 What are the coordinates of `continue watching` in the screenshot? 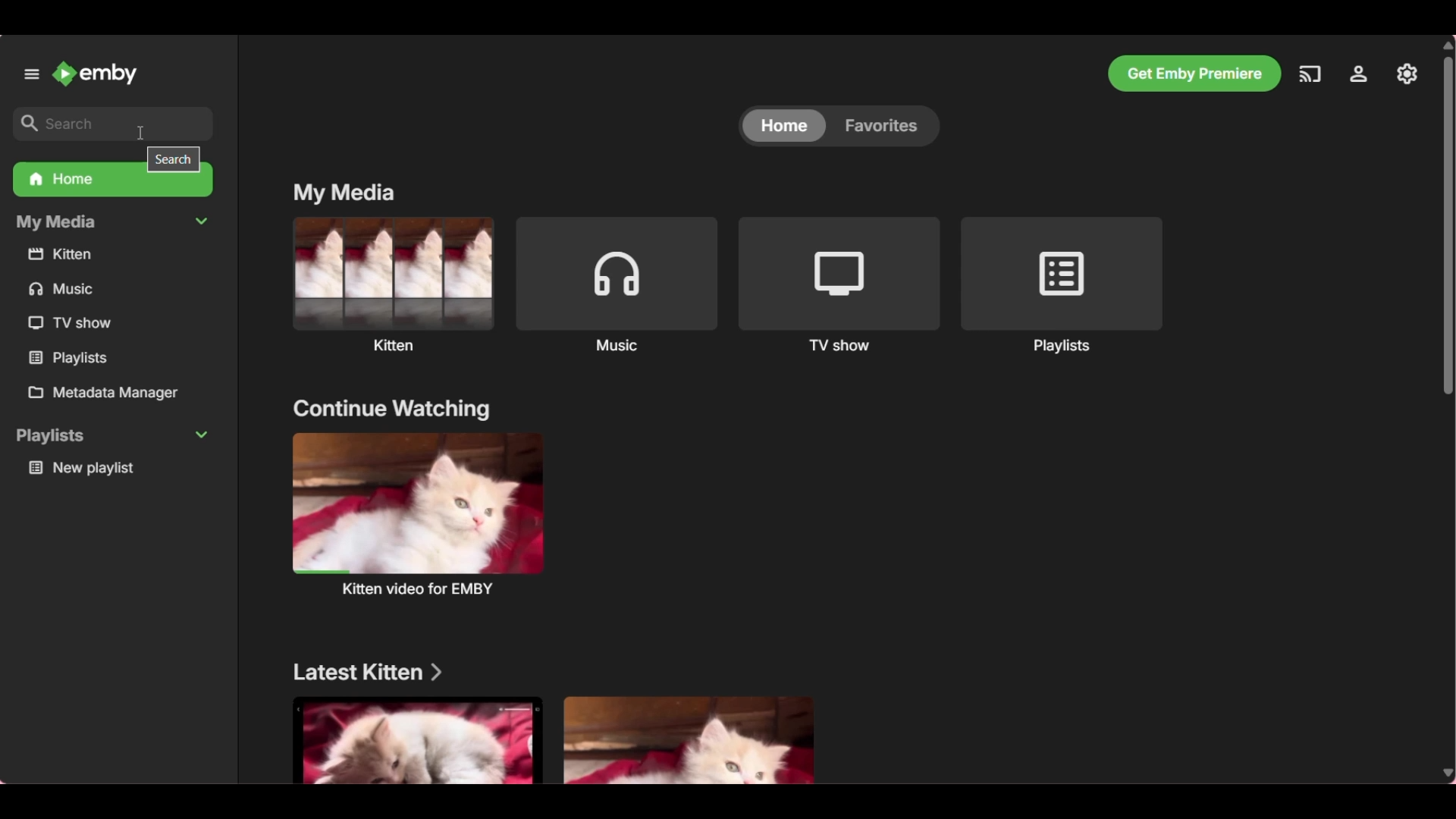 It's located at (391, 408).